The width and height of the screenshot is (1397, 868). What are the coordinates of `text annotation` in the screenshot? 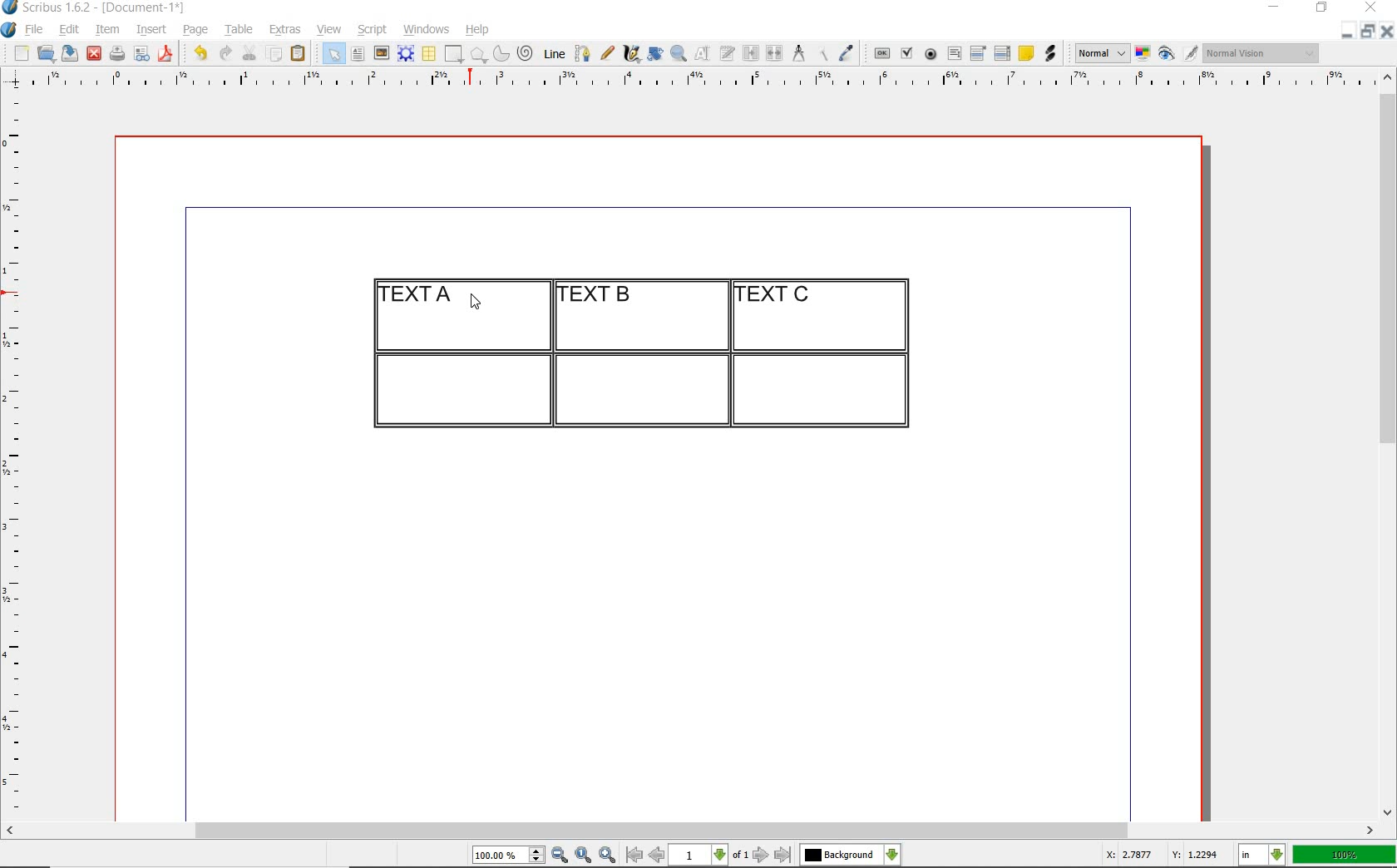 It's located at (1025, 54).